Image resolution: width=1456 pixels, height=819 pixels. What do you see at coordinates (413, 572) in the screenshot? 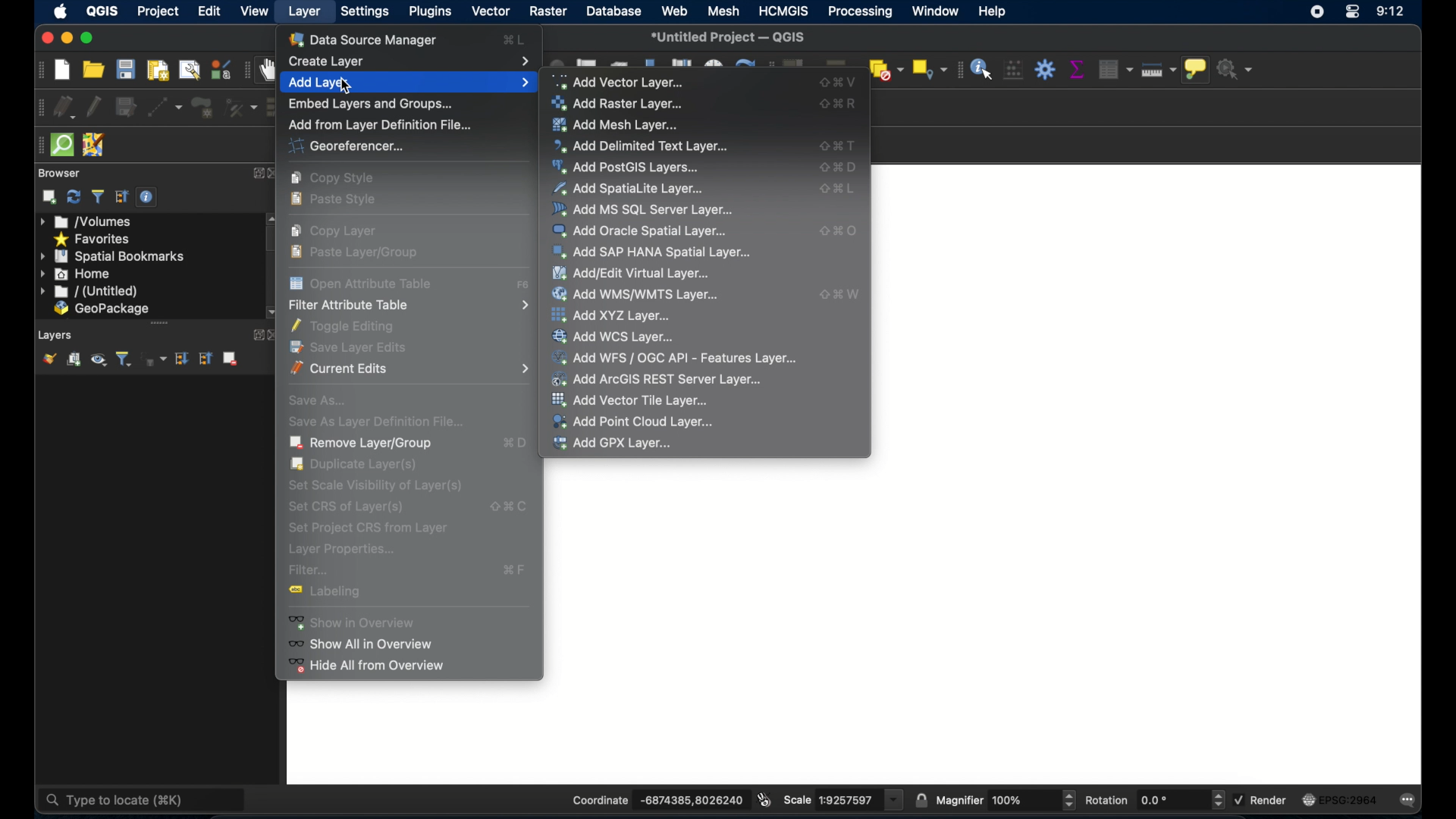
I see `Filter...` at bounding box center [413, 572].